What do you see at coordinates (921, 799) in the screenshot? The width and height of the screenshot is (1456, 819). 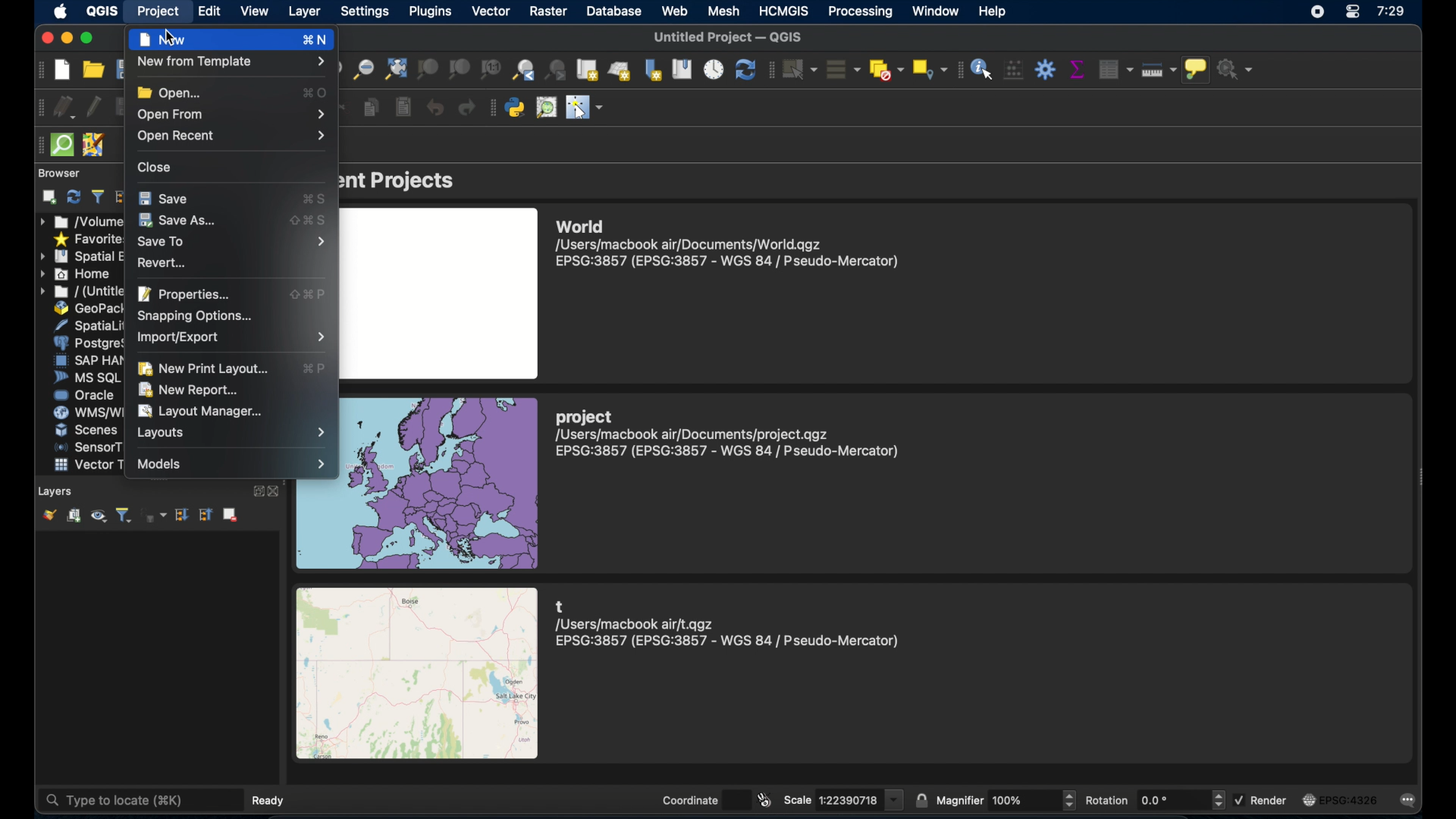 I see `lock` at bounding box center [921, 799].